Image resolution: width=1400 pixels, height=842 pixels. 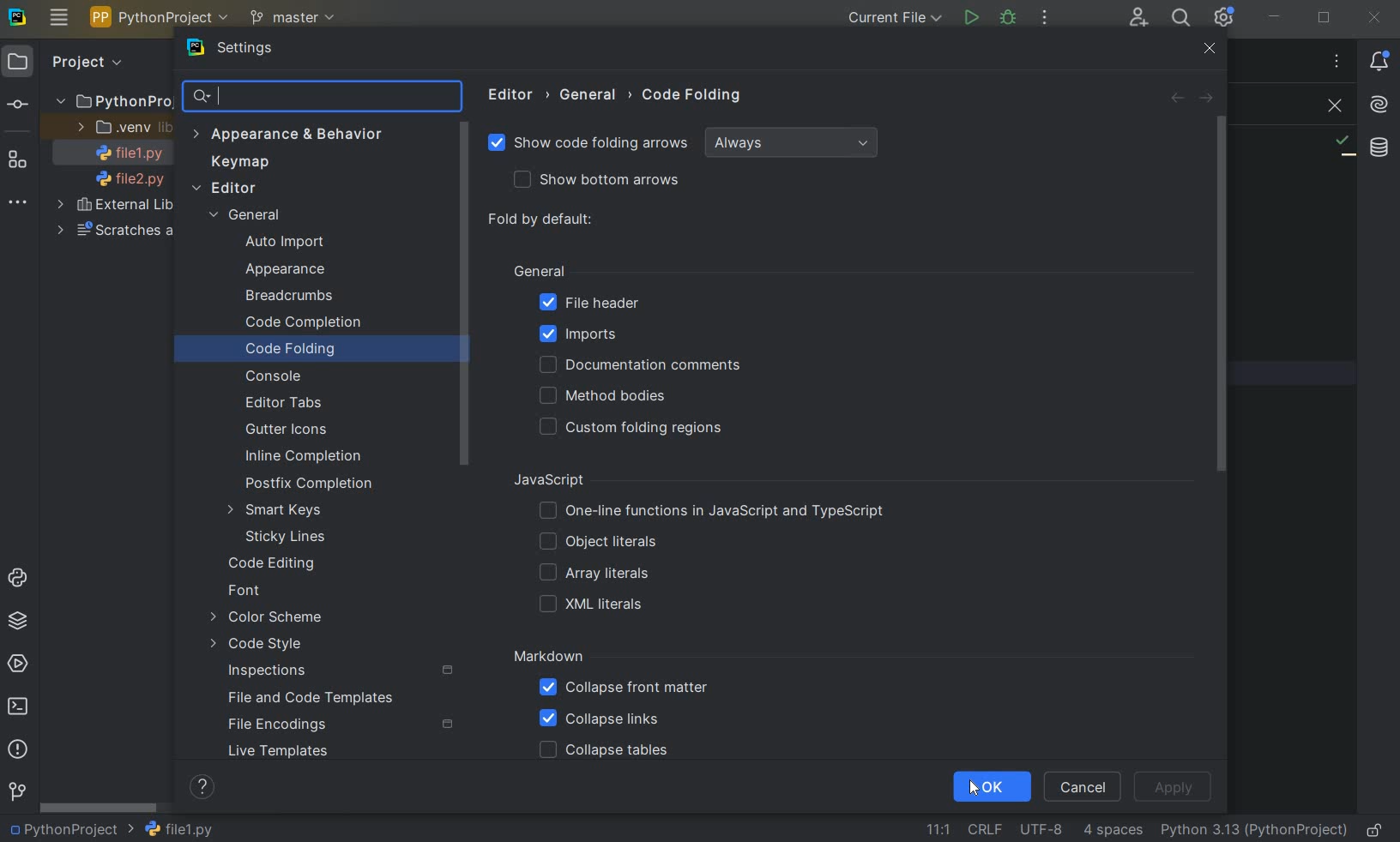 I want to click on .VENV, so click(x=122, y=128).